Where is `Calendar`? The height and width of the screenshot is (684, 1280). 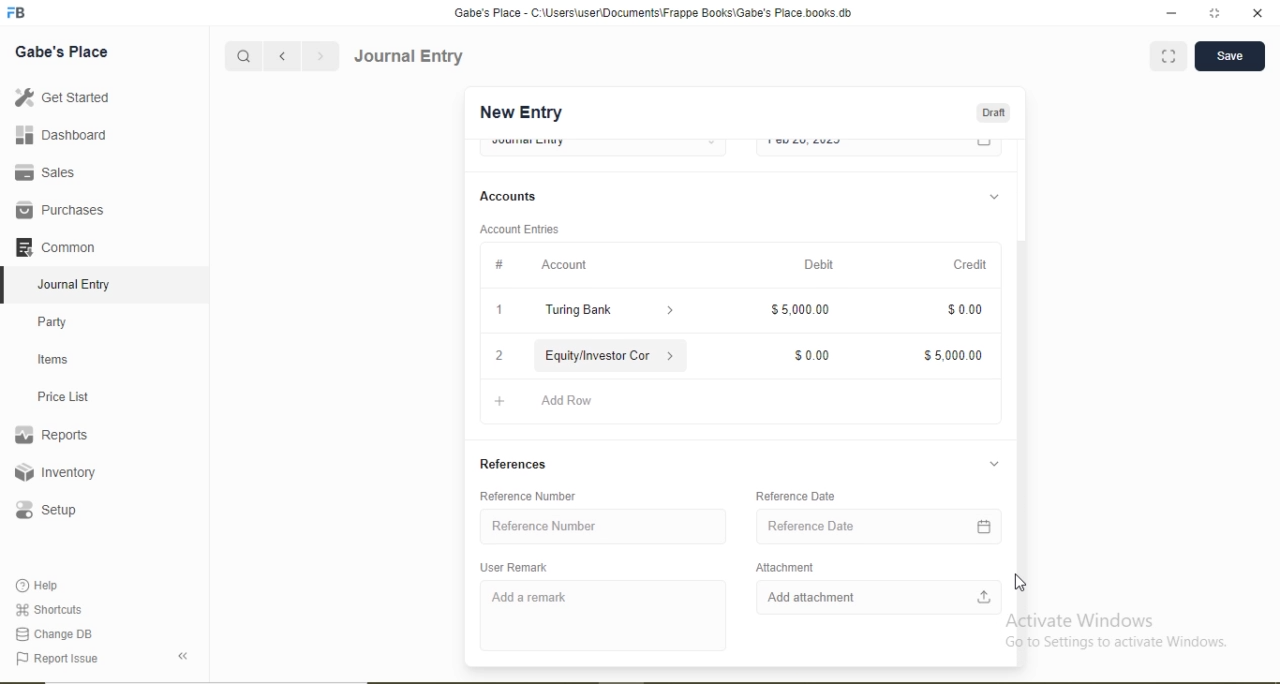
Calendar is located at coordinates (985, 527).